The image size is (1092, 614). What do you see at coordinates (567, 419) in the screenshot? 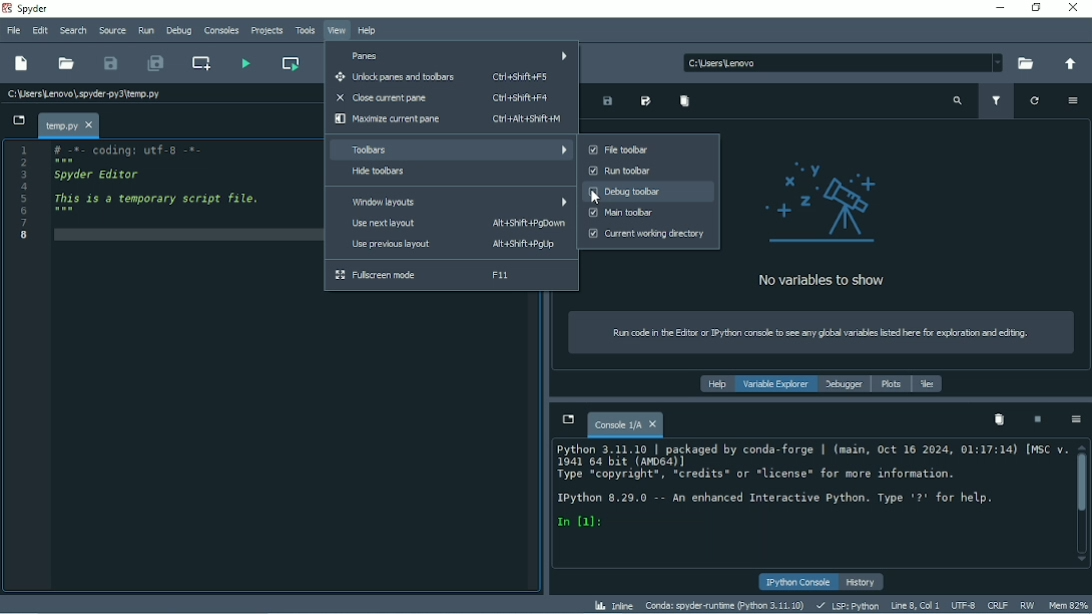
I see `Browse tabs` at bounding box center [567, 419].